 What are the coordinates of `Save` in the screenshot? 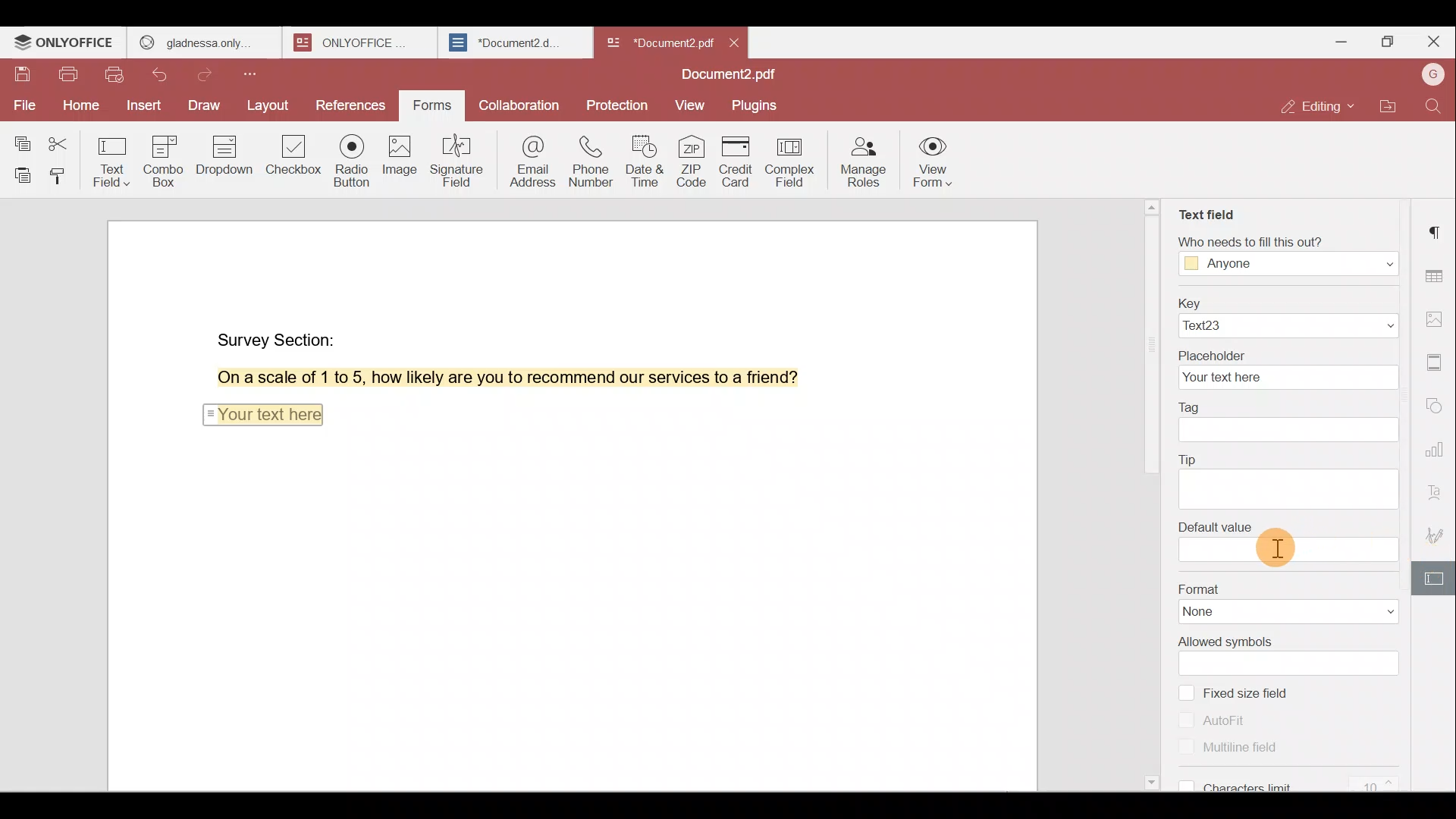 It's located at (22, 78).